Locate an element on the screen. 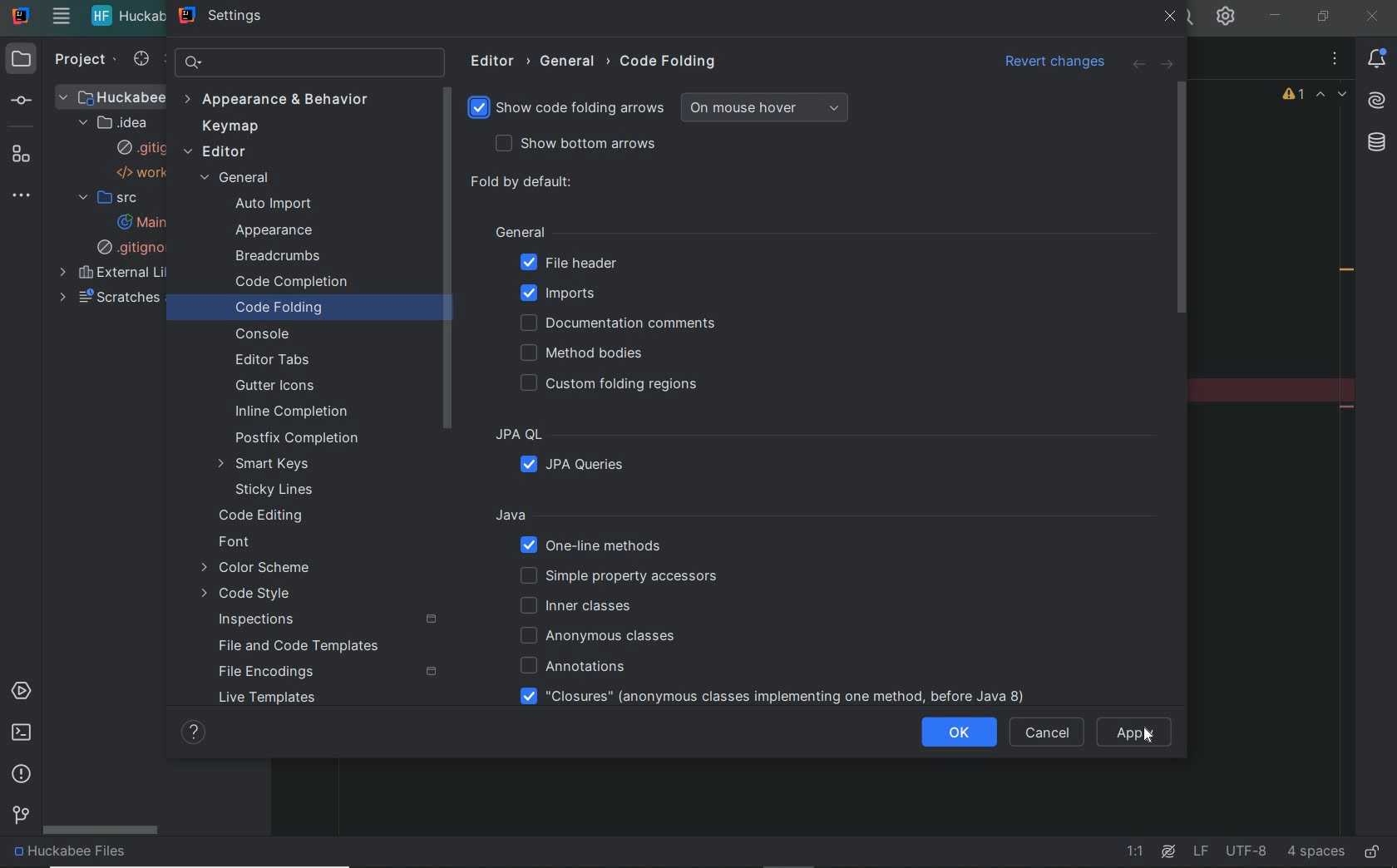 The image size is (1397, 868). services is located at coordinates (25, 691).